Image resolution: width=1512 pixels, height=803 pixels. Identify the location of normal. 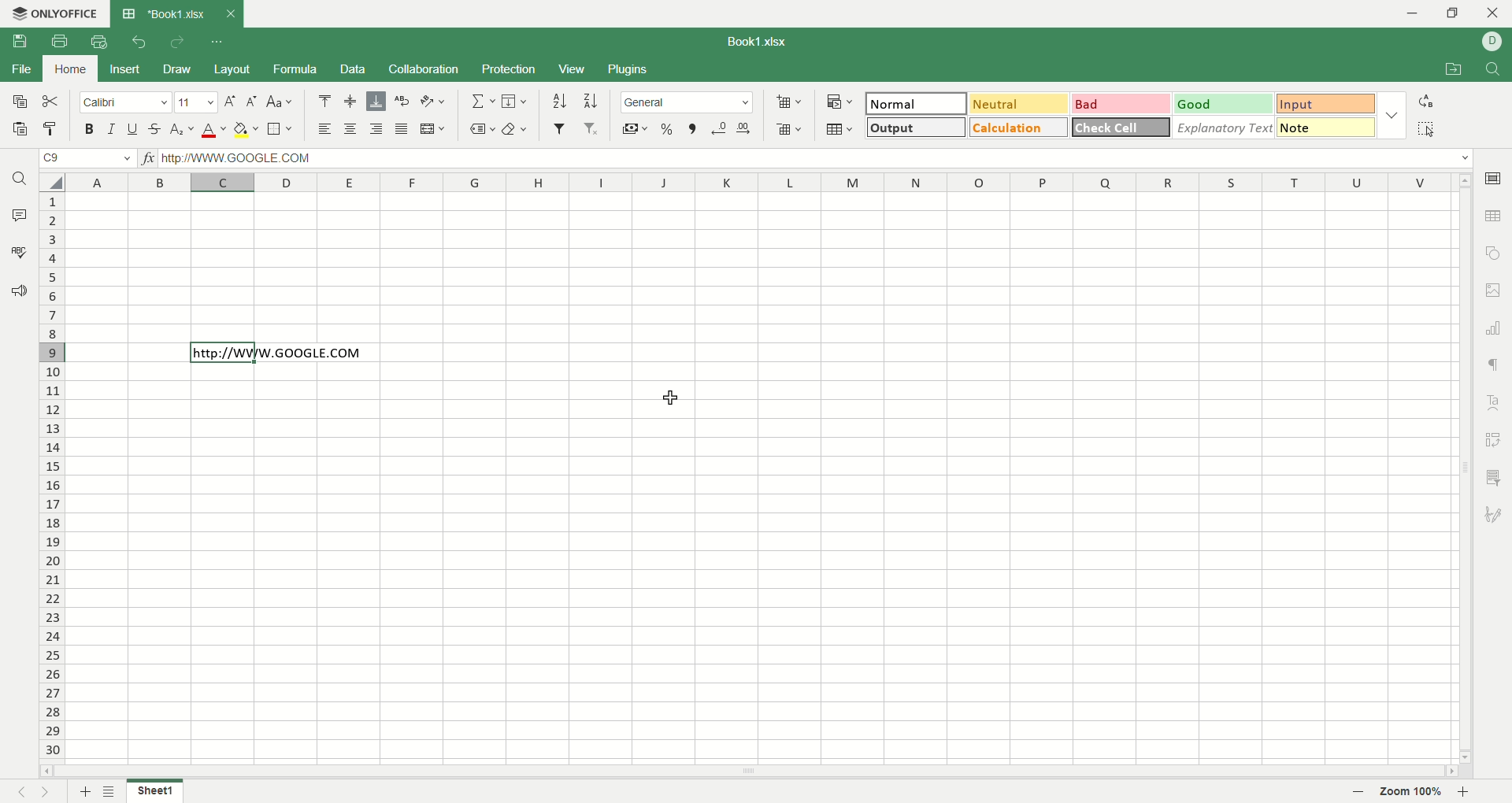
(917, 103).